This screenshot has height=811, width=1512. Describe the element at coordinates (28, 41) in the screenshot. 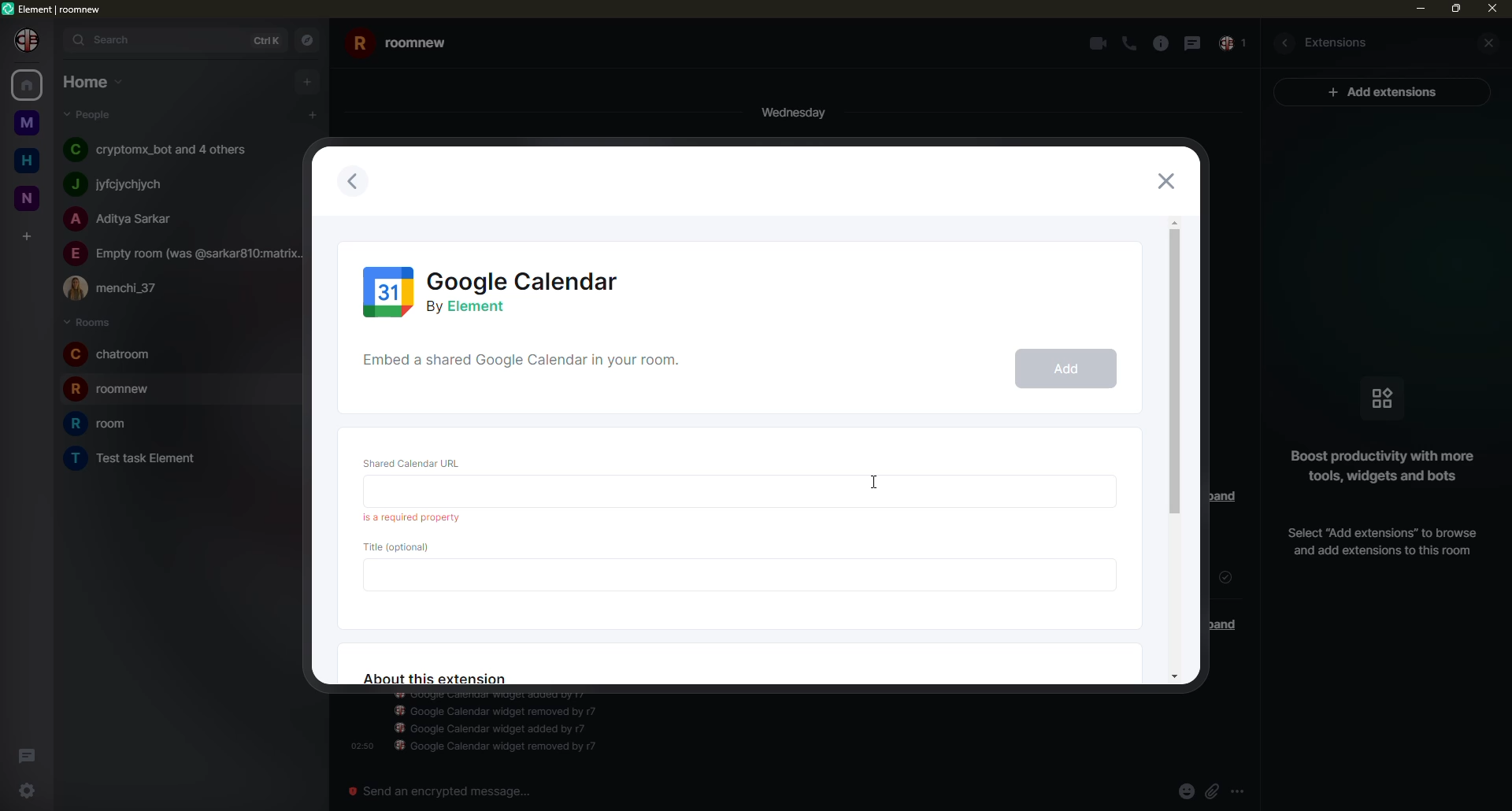

I see `profile` at that location.